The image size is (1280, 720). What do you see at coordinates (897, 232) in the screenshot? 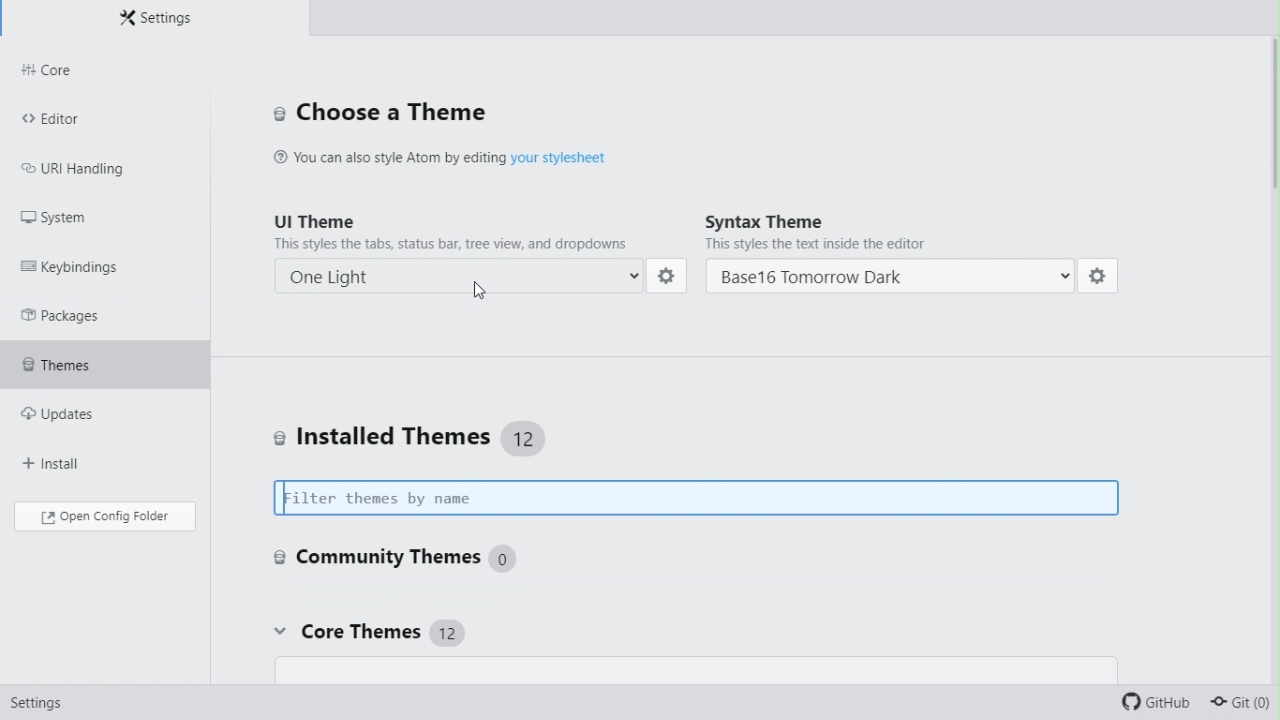
I see `syntax theme - this styles the text inside the editor` at bounding box center [897, 232].